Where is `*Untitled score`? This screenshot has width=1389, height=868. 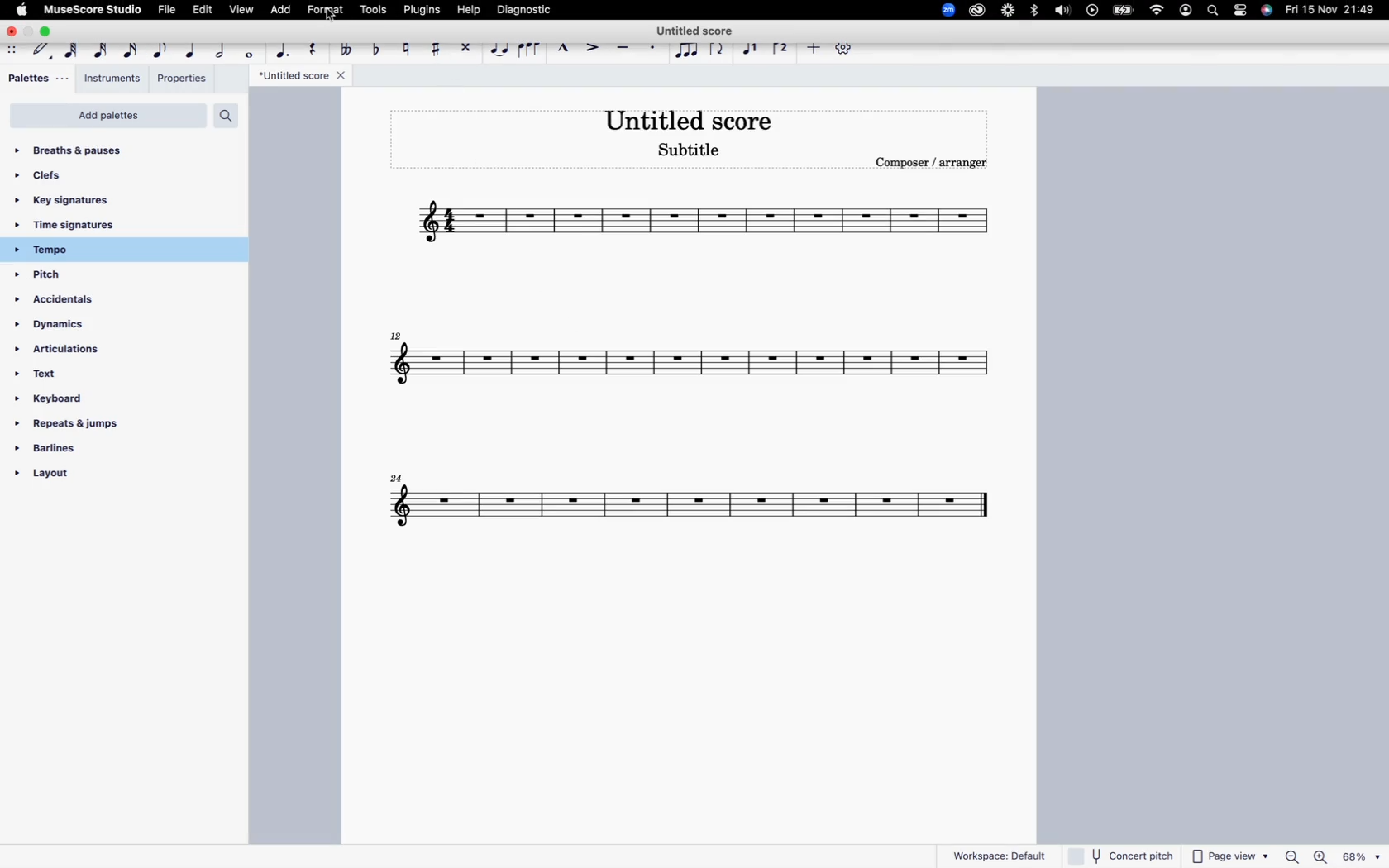 *Untitled score is located at coordinates (303, 76).